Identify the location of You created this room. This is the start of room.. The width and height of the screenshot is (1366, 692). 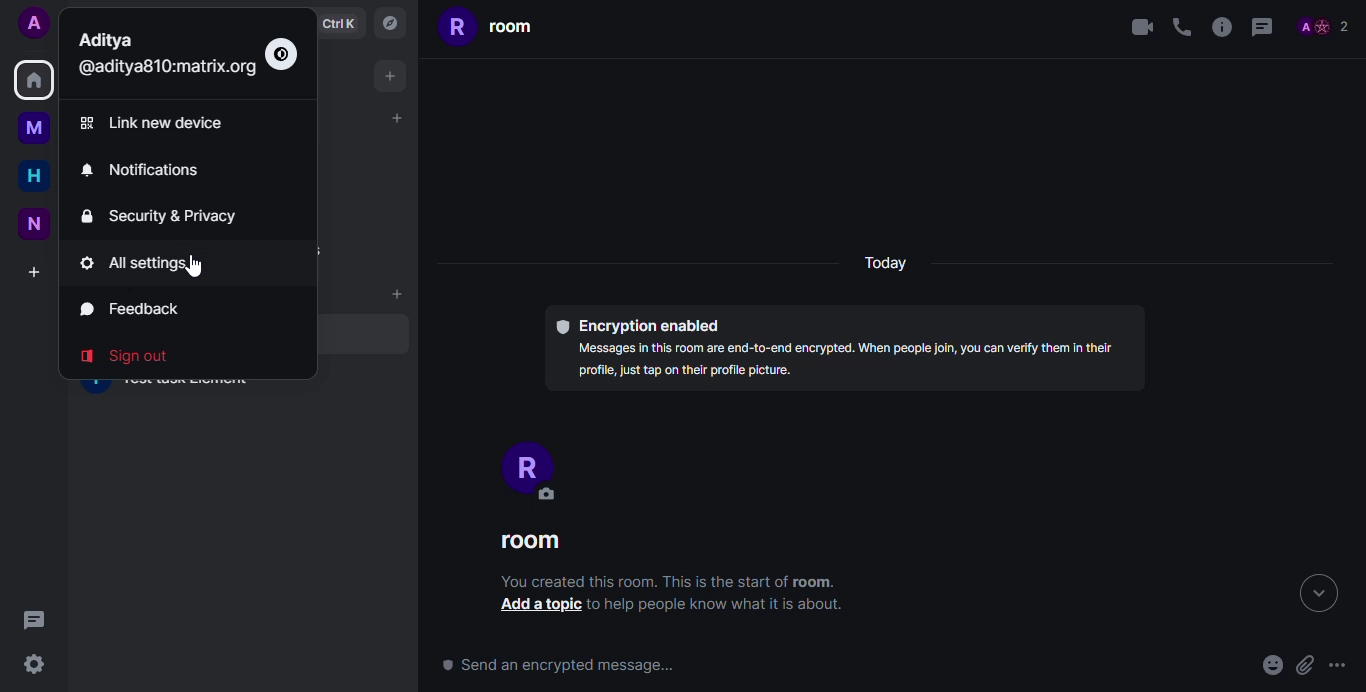
(664, 580).